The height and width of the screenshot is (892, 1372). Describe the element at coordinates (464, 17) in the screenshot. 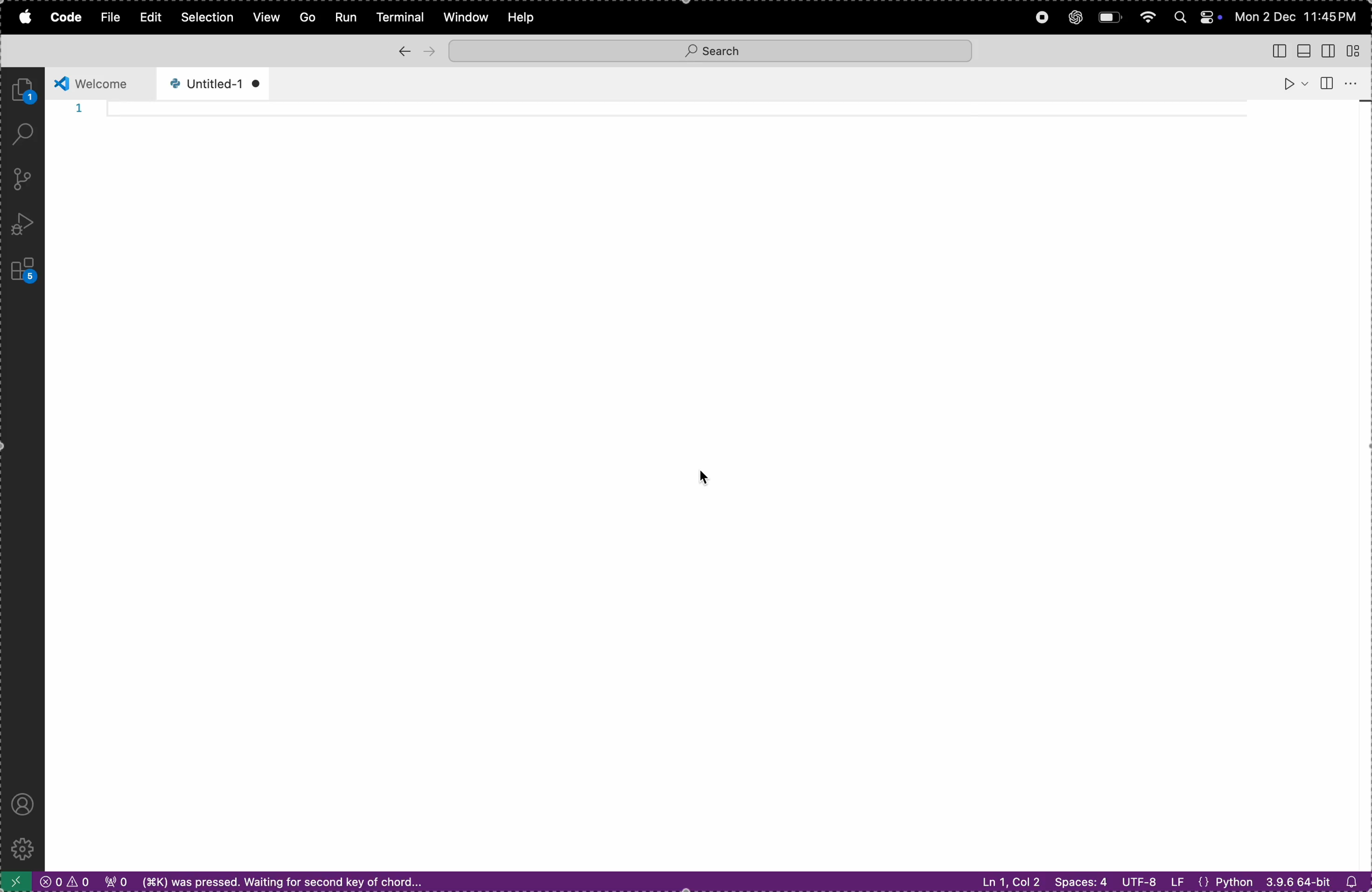

I see `window` at that location.